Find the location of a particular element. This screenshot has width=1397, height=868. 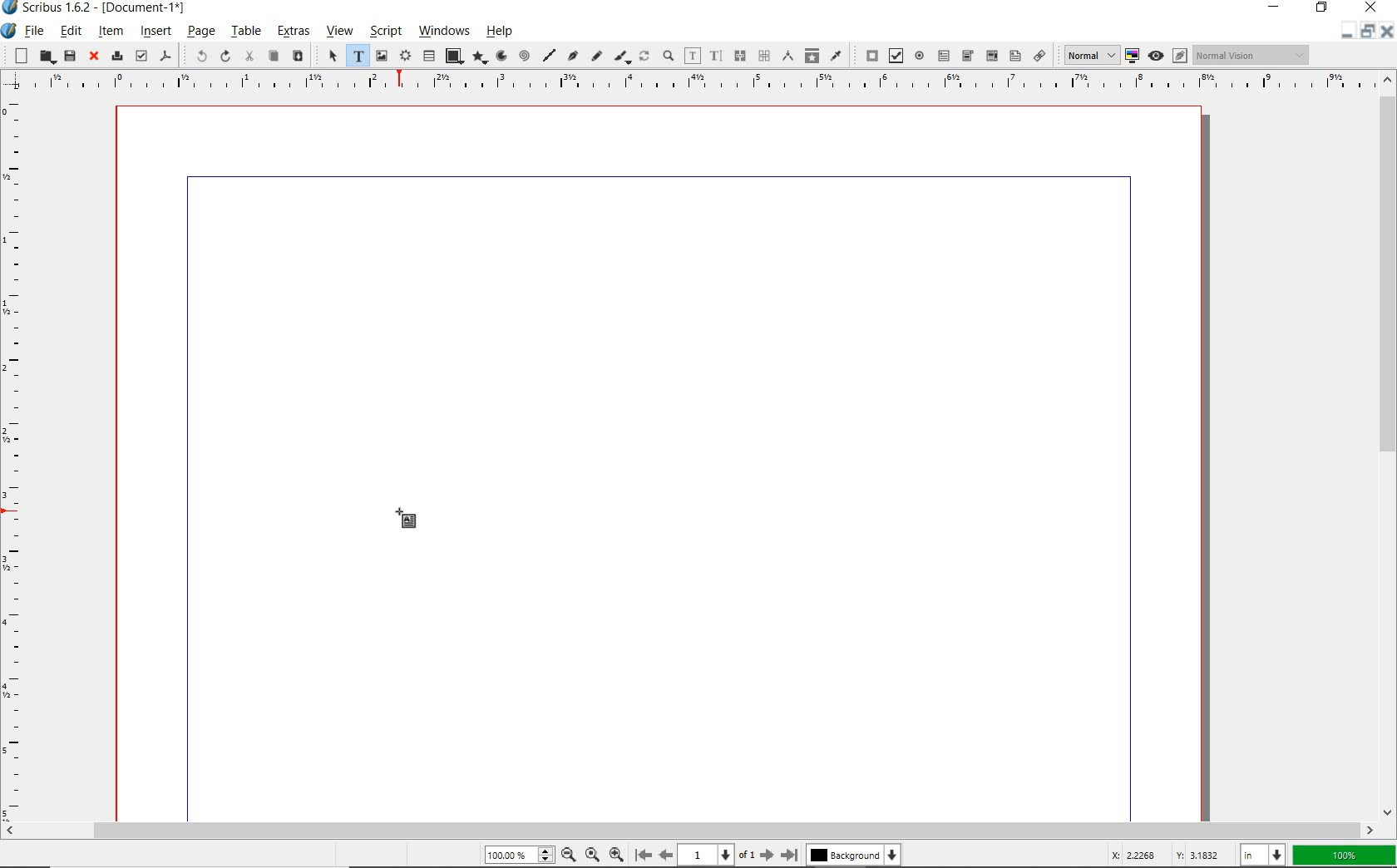

Last page is located at coordinates (787, 855).